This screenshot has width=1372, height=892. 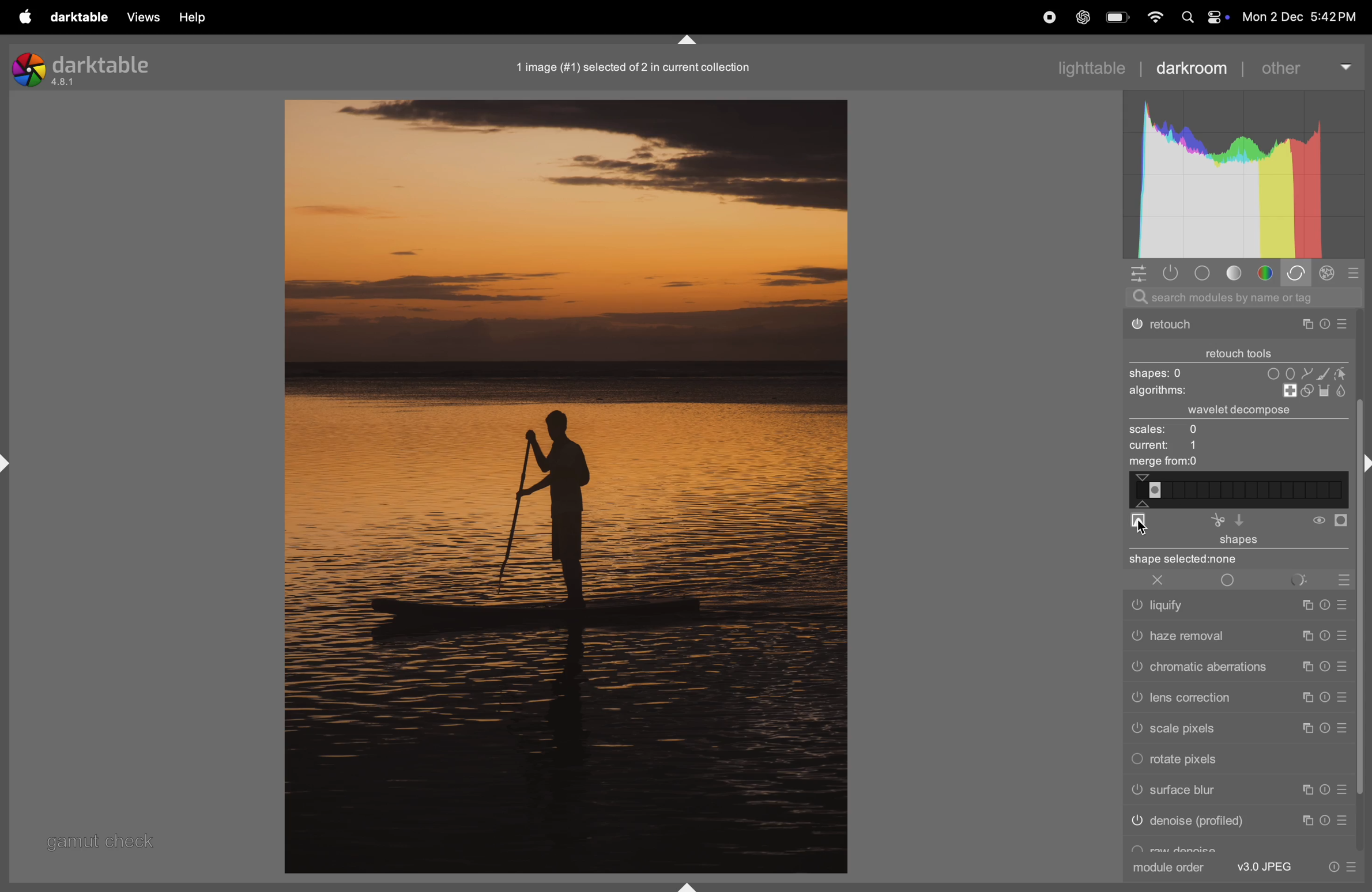 What do you see at coordinates (1086, 67) in the screenshot?
I see `lighttable` at bounding box center [1086, 67].